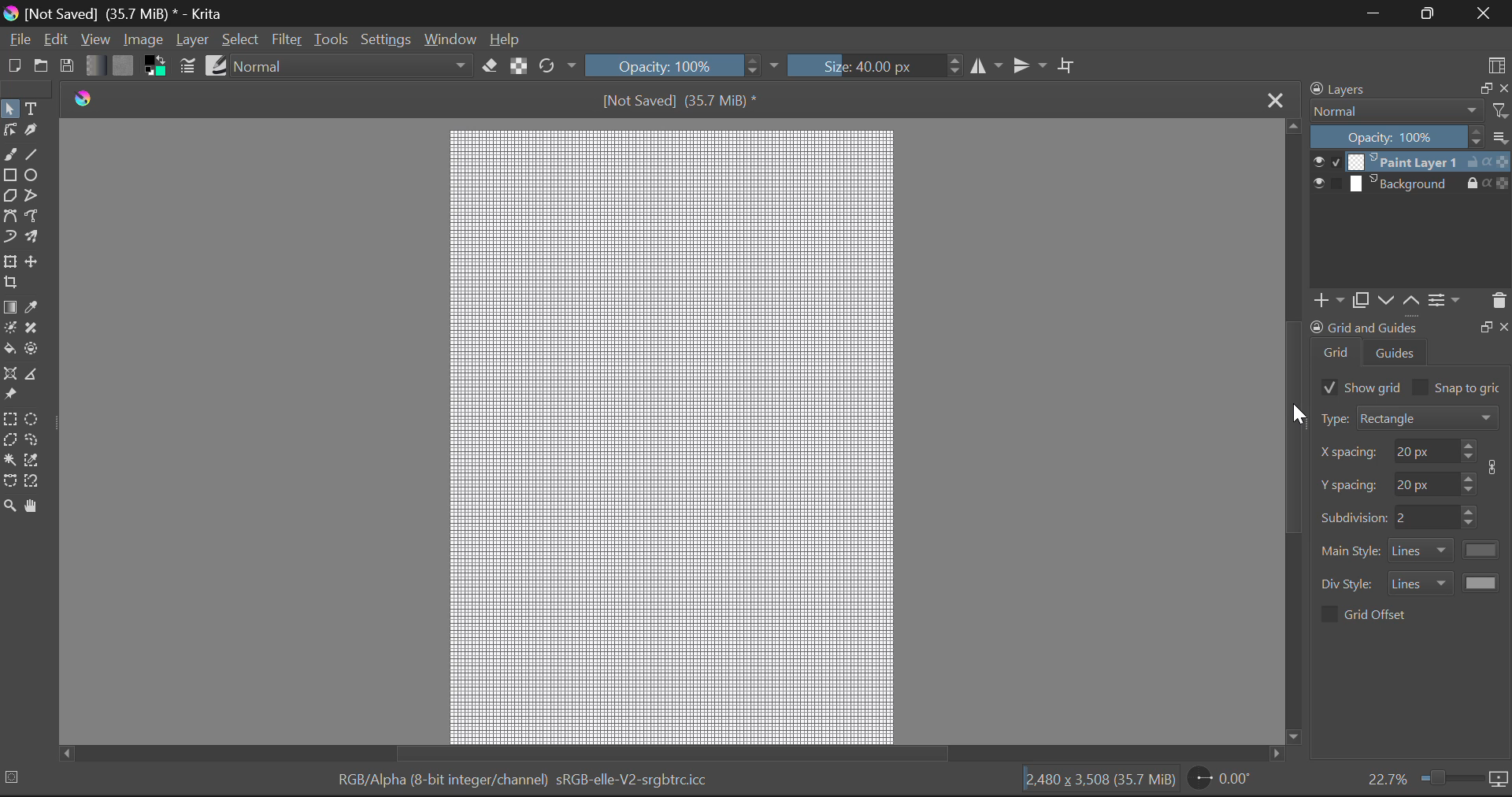  Describe the element at coordinates (1326, 183) in the screenshot. I see `show/hide` at that location.